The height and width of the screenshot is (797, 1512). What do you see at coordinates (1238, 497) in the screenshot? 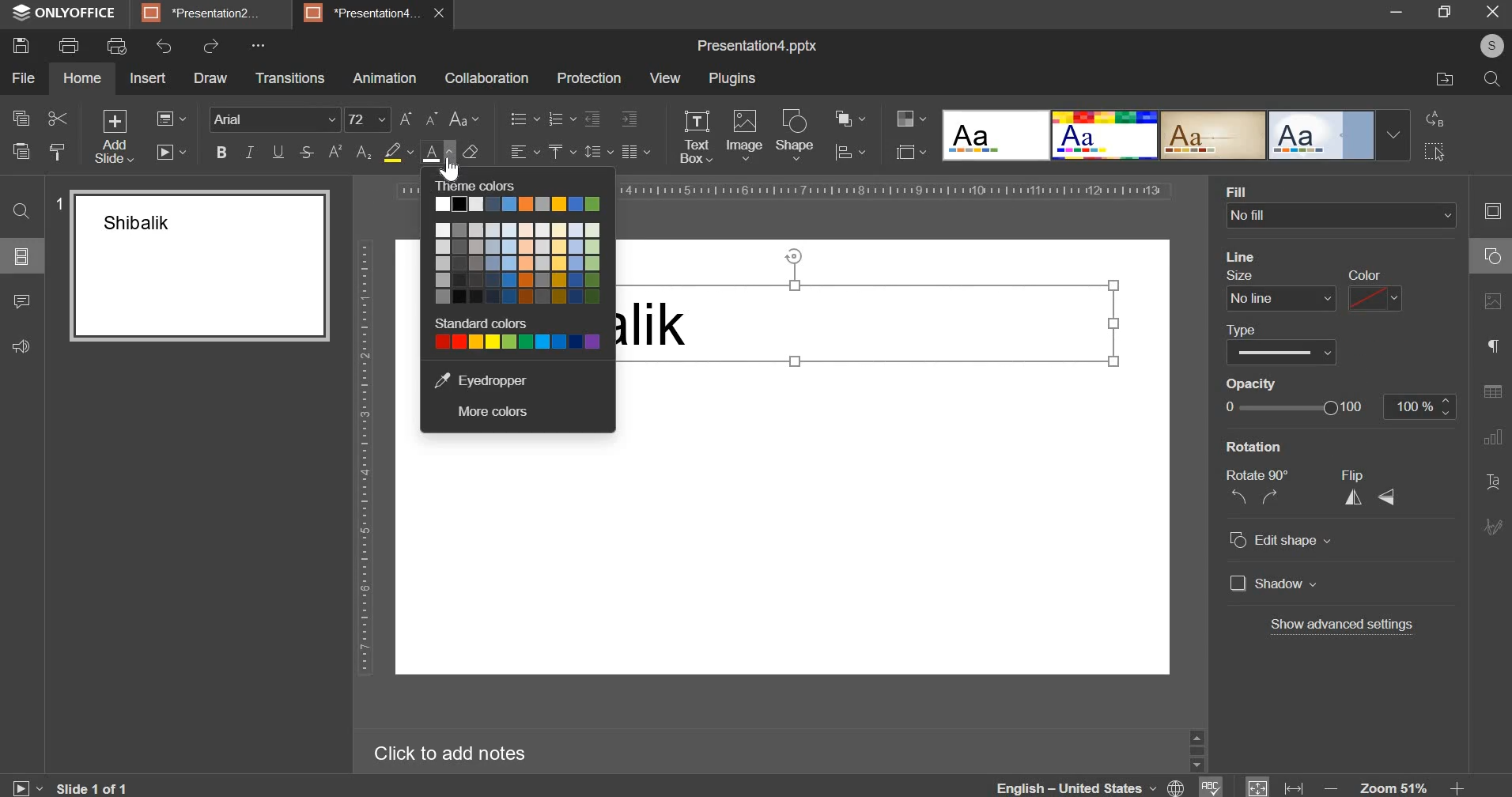
I see `left` at bounding box center [1238, 497].